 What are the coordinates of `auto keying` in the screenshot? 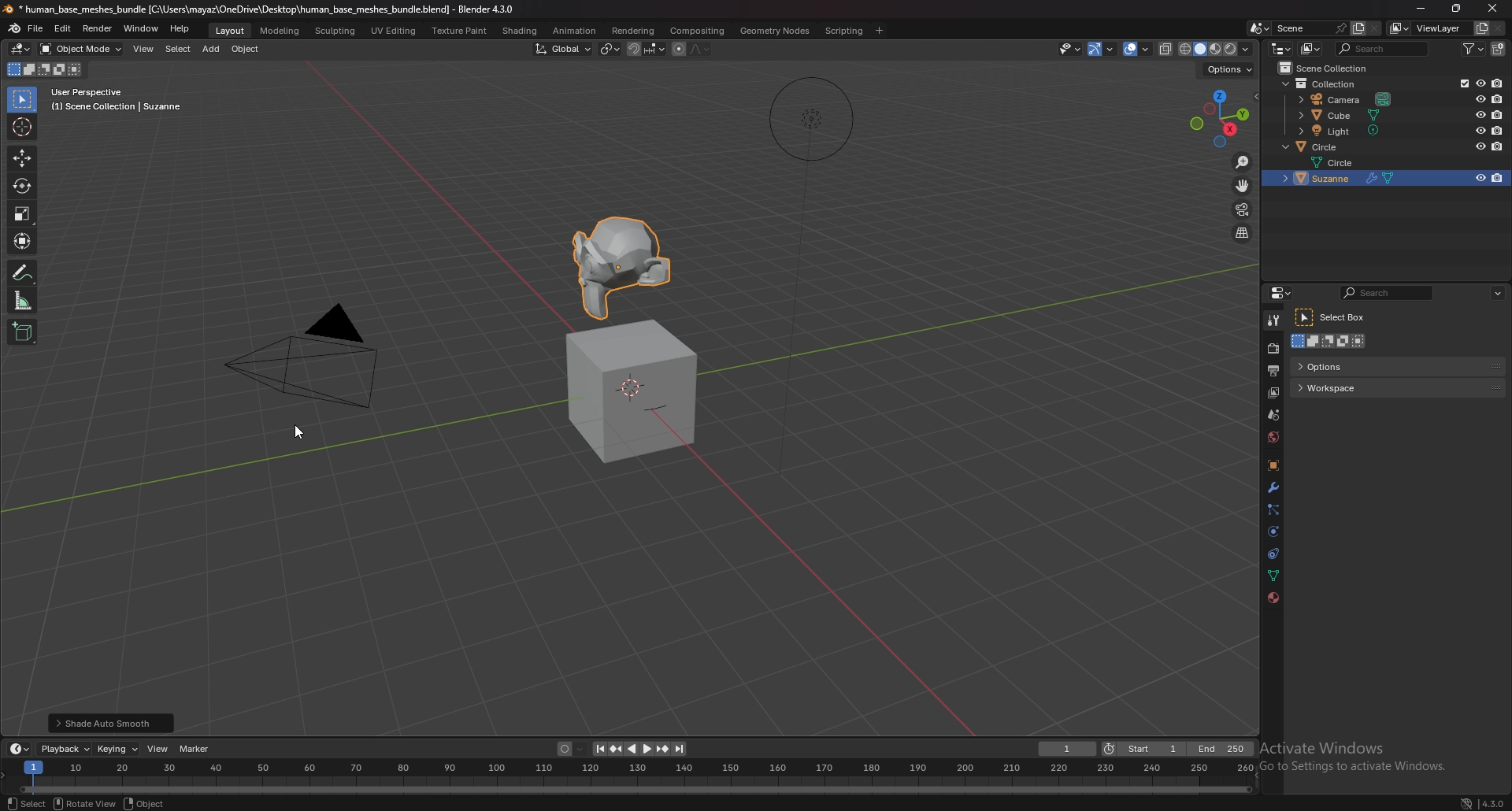 It's located at (569, 747).